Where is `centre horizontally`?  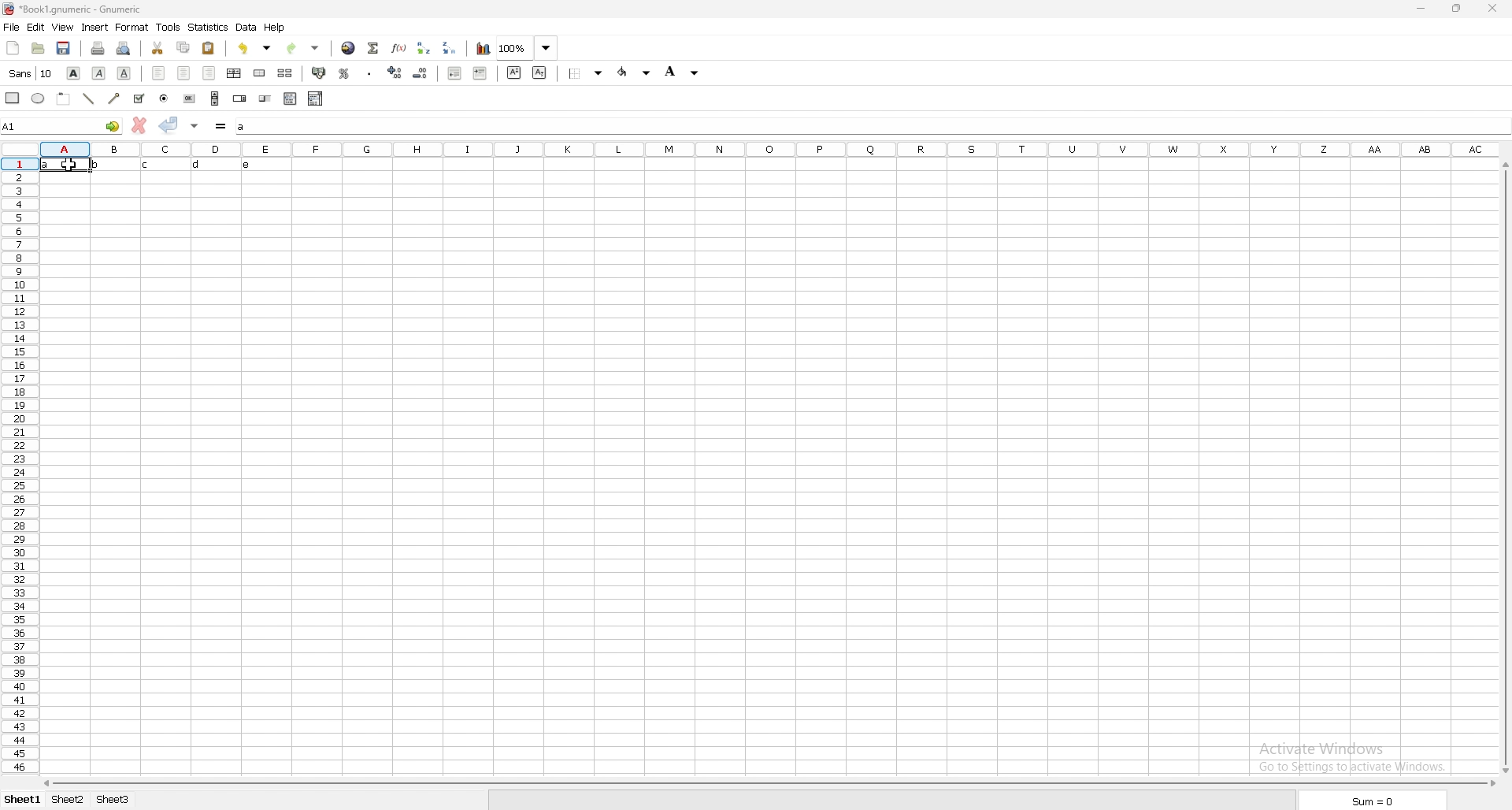
centre horizontally is located at coordinates (235, 74).